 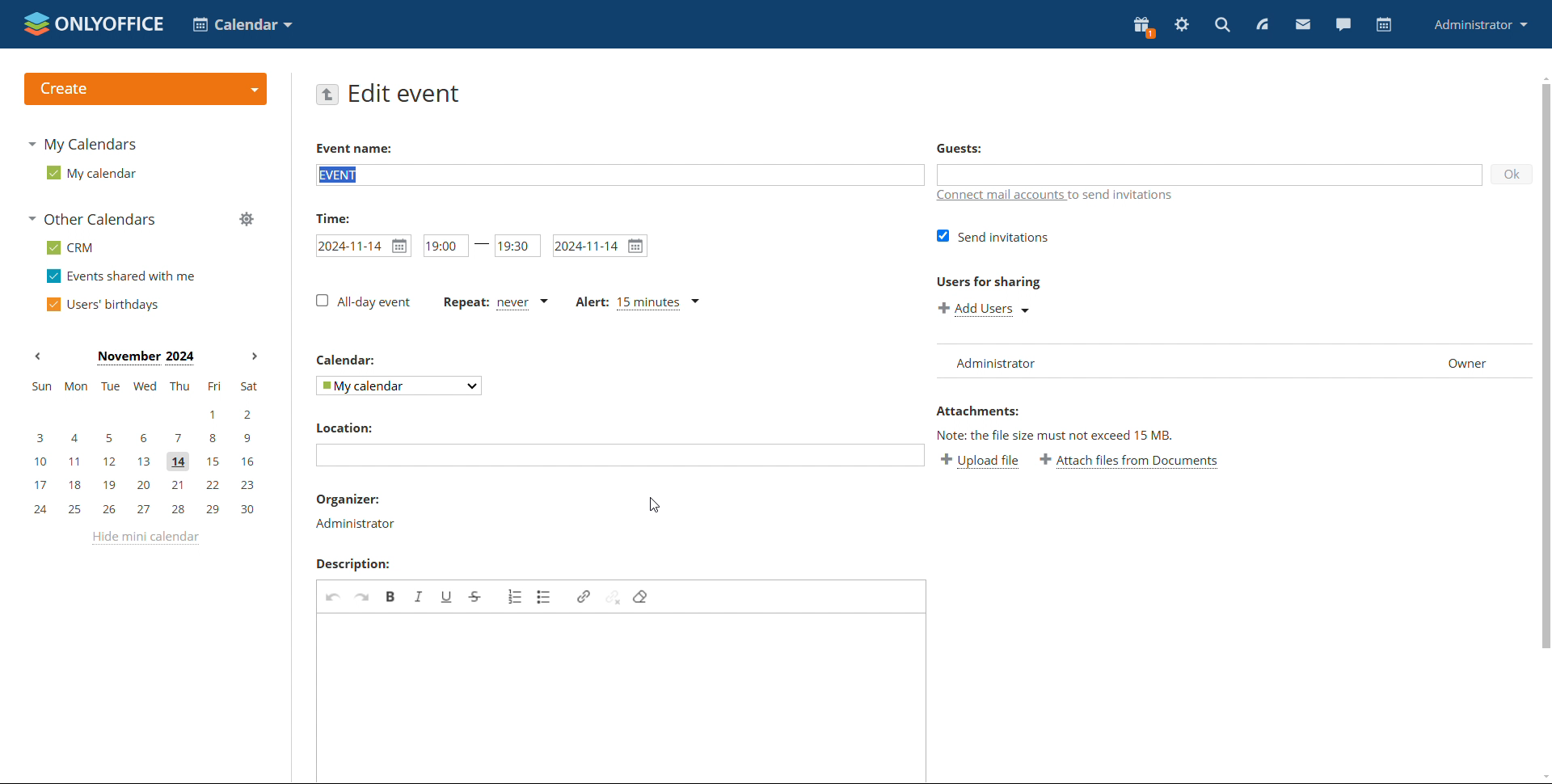 What do you see at coordinates (246, 218) in the screenshot?
I see `manage` at bounding box center [246, 218].